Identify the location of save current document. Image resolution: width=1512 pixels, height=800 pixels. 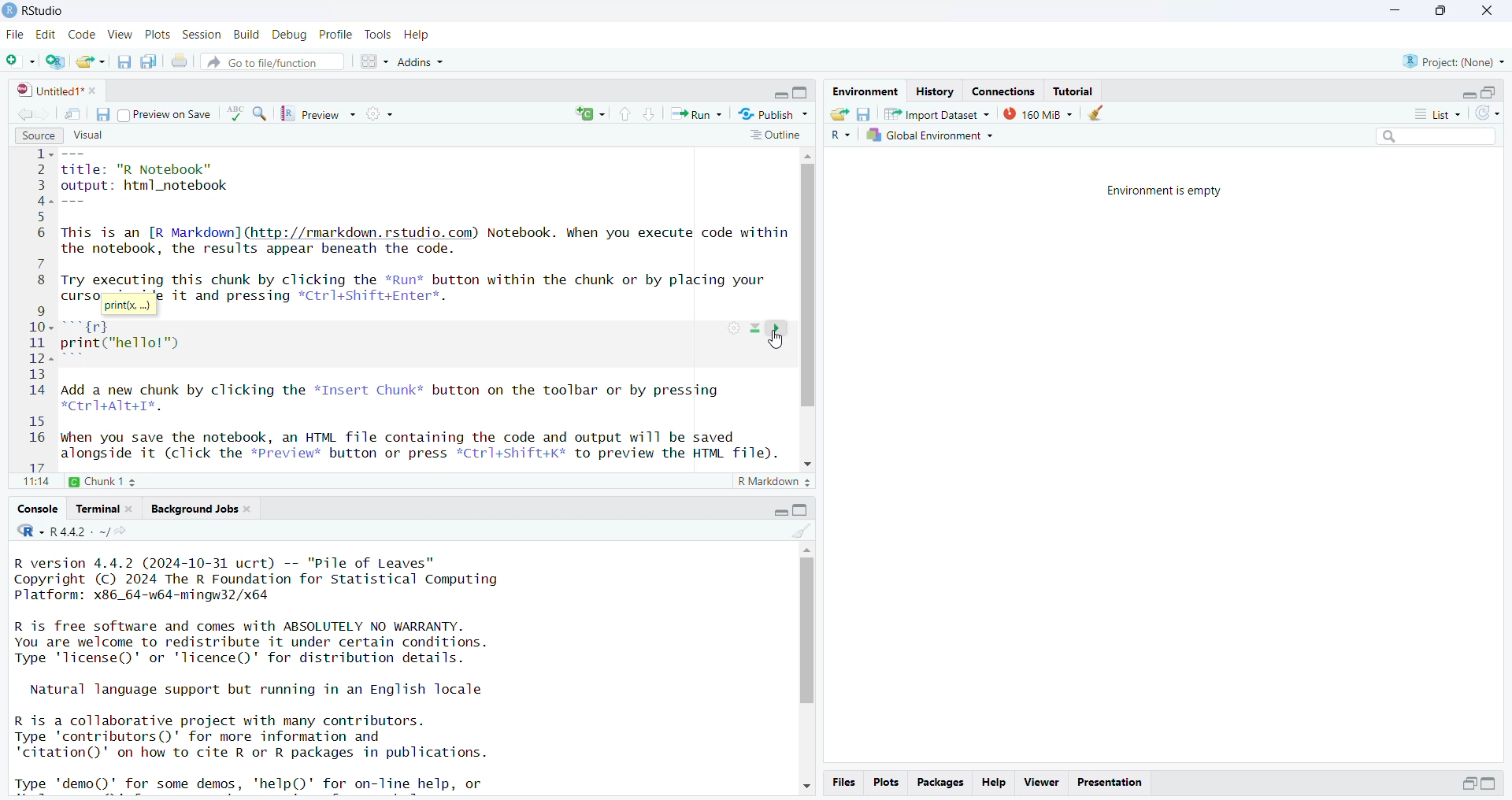
(126, 61).